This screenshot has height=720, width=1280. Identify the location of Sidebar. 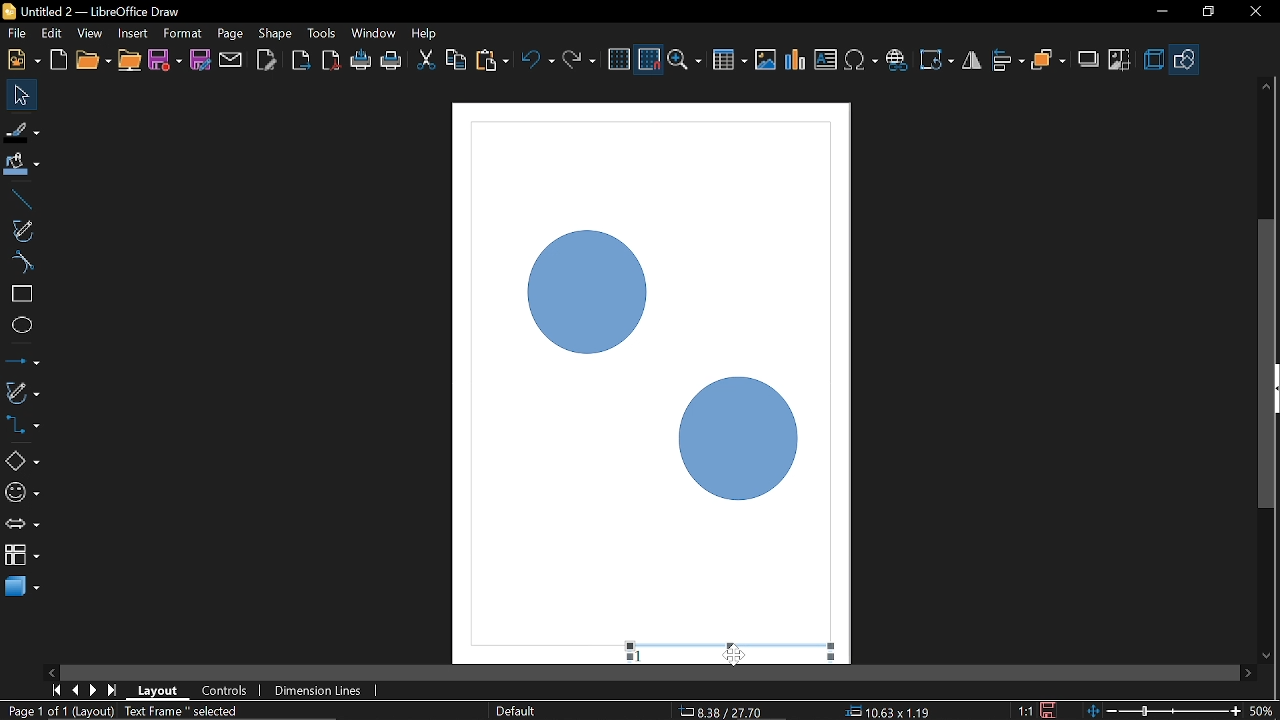
(1272, 389).